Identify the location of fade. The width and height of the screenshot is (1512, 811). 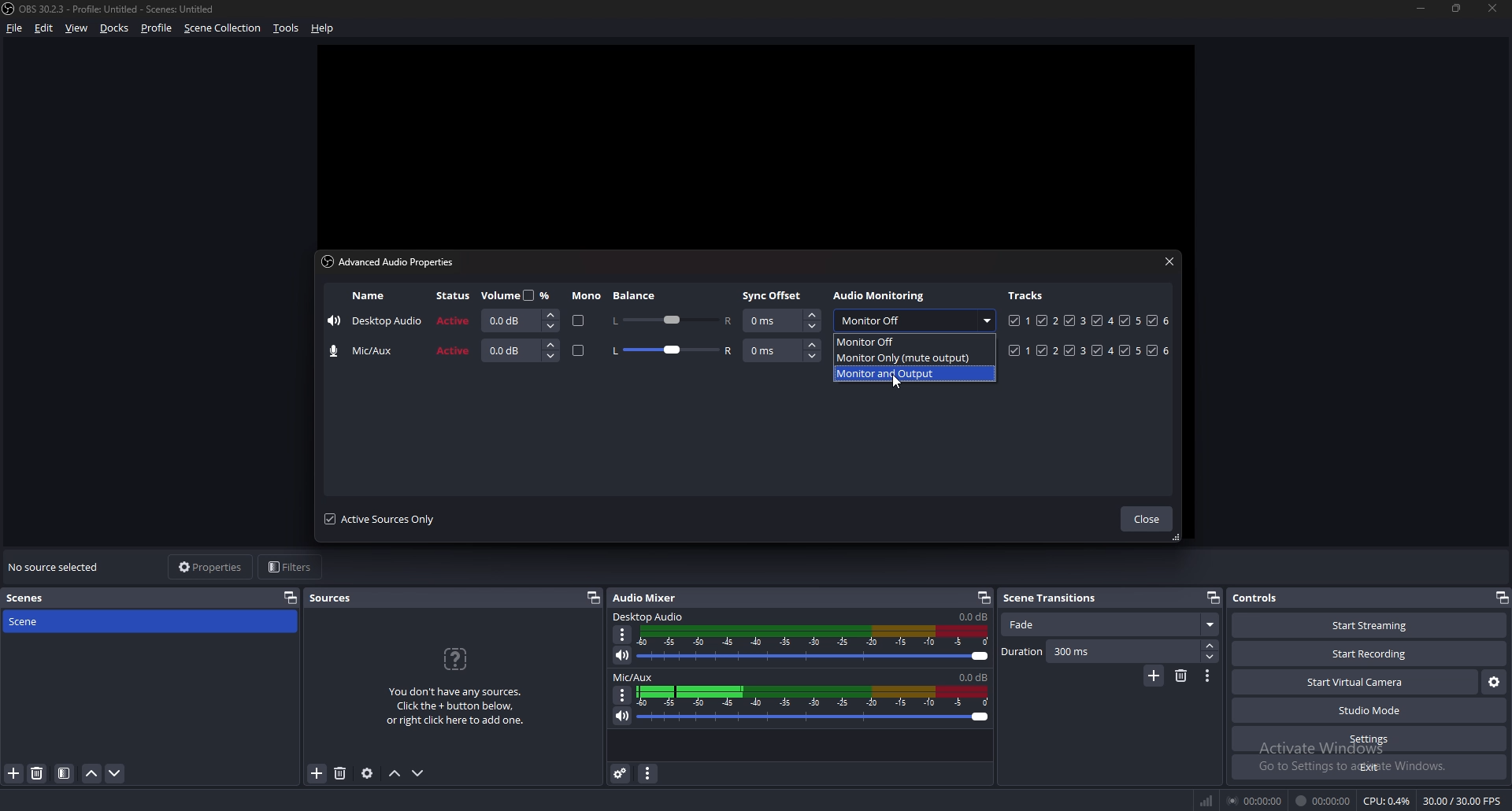
(1109, 625).